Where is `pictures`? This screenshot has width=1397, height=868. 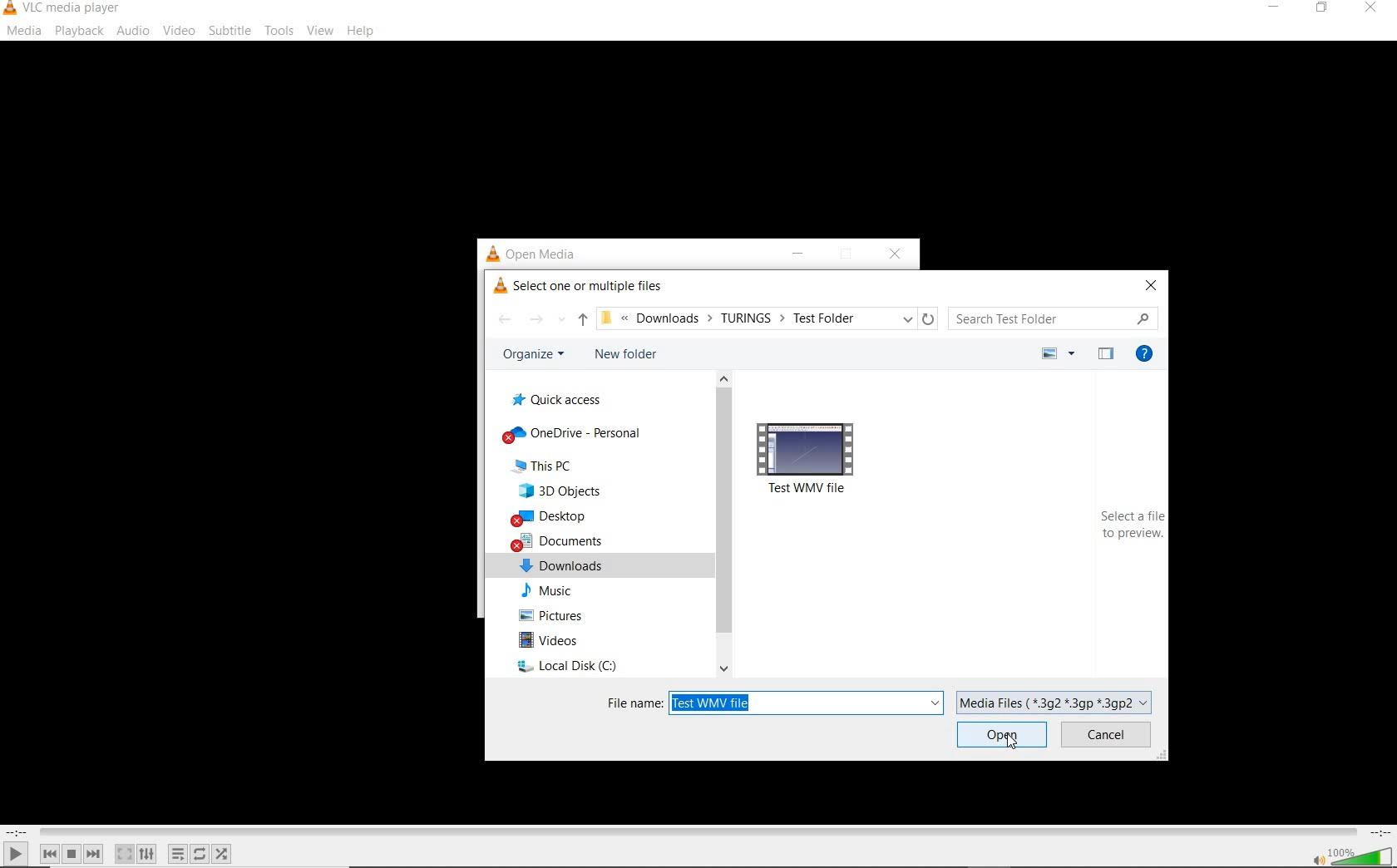
pictures is located at coordinates (558, 614).